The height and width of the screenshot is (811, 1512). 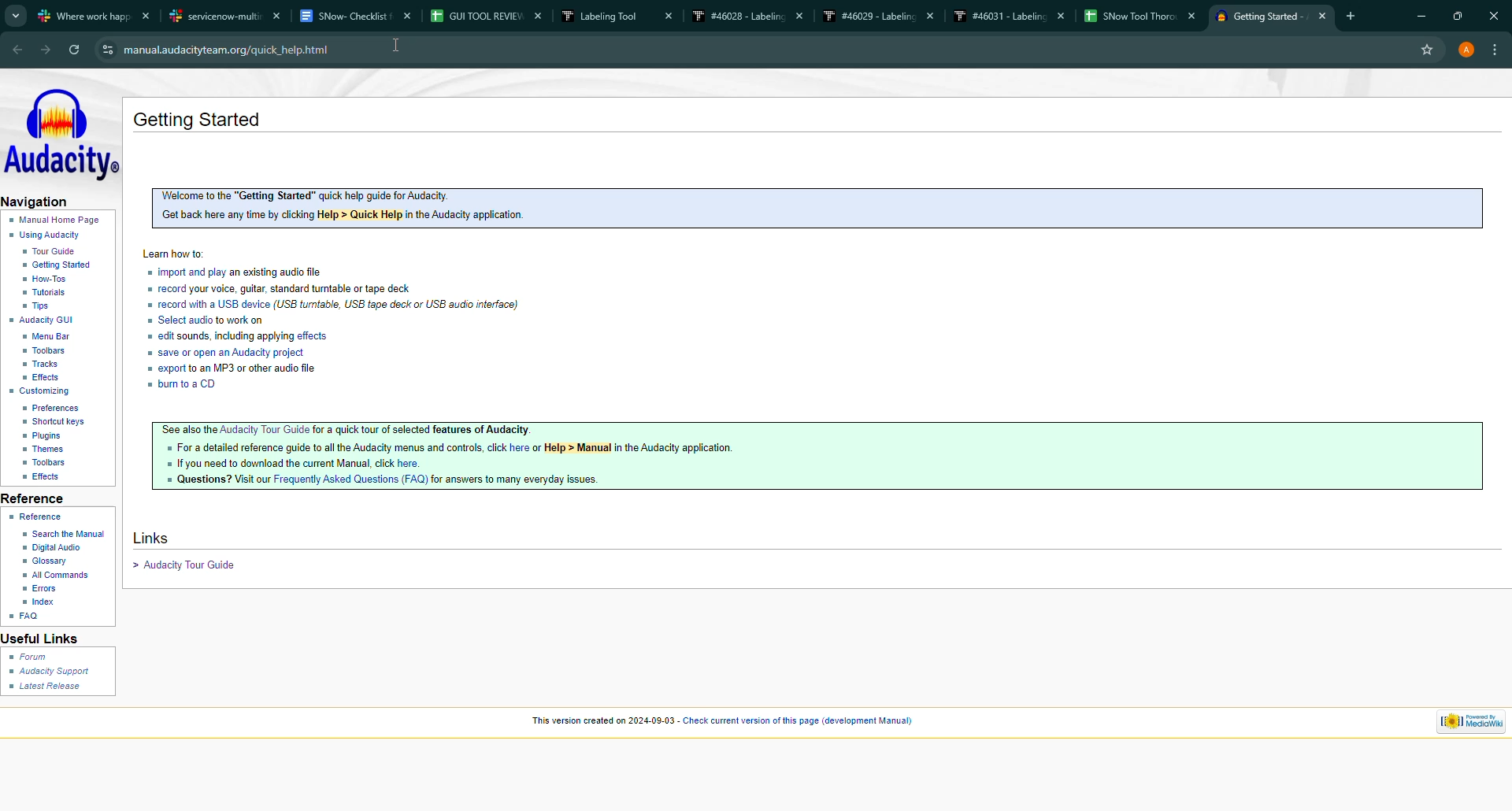 I want to click on reference, so click(x=46, y=519).